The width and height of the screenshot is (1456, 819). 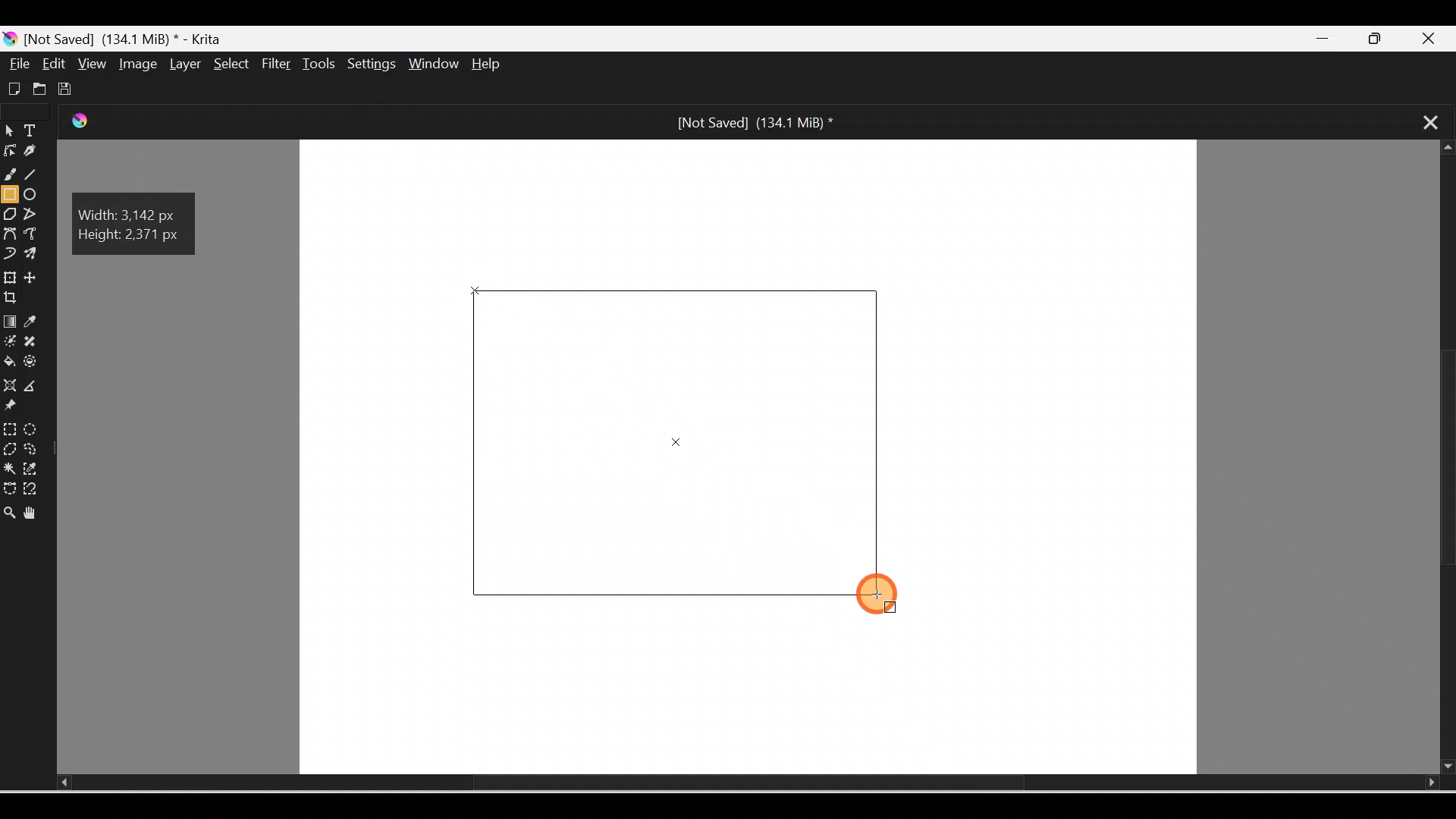 I want to click on Zoom tool, so click(x=9, y=508).